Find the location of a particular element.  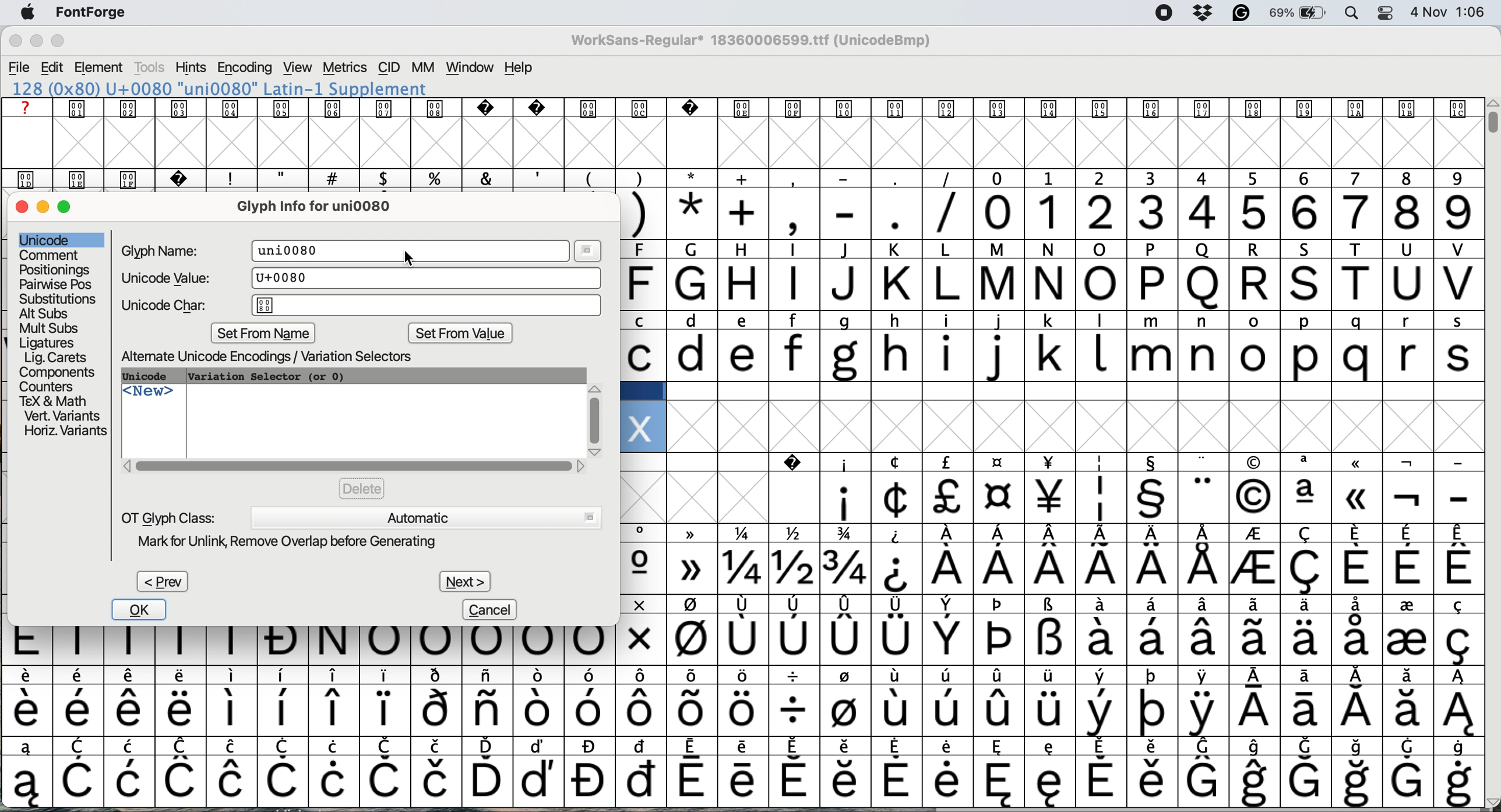

lower case letters a to s is located at coordinates (1050, 355).